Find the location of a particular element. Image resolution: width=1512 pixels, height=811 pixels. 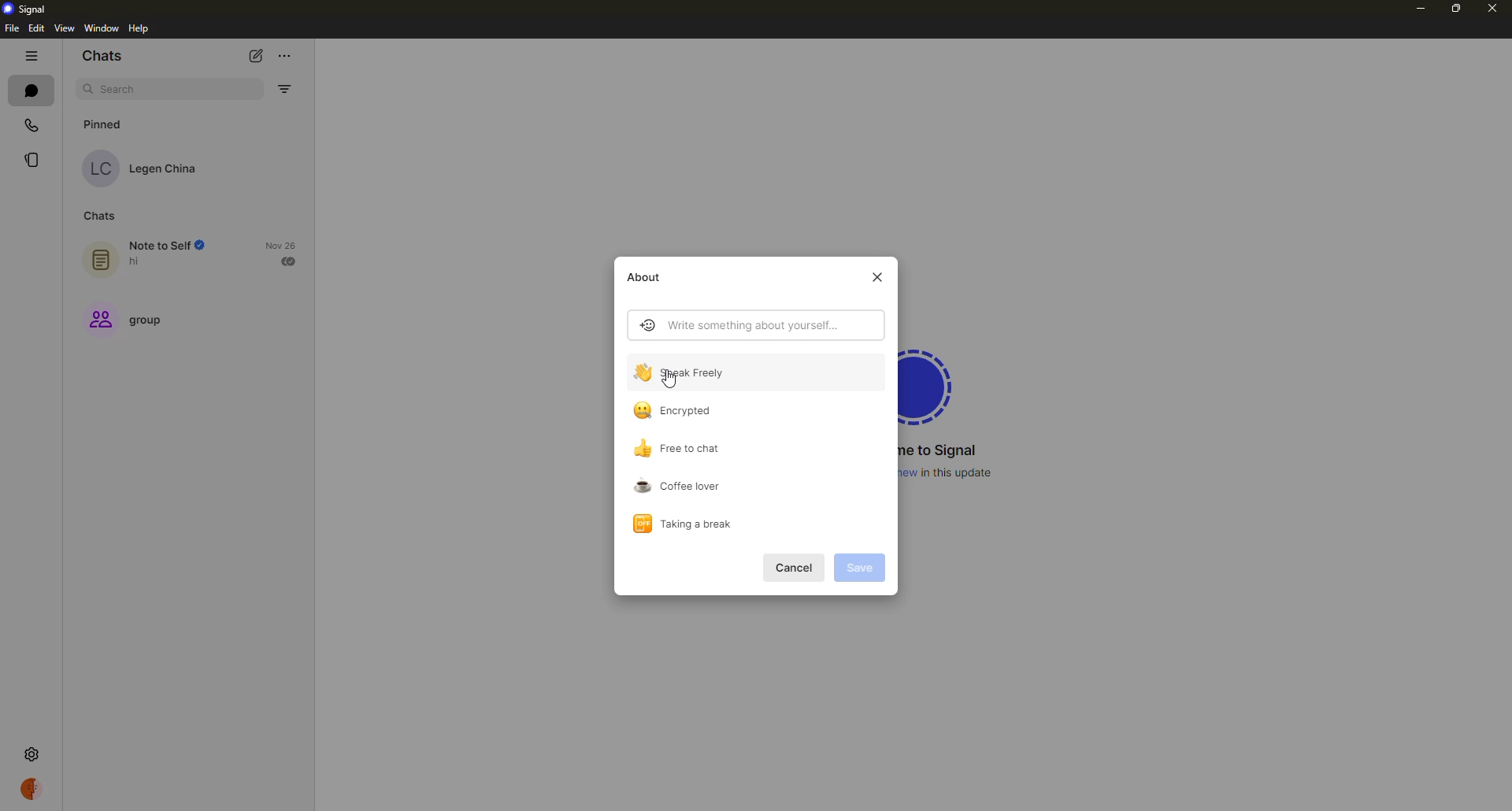

filter is located at coordinates (283, 89).